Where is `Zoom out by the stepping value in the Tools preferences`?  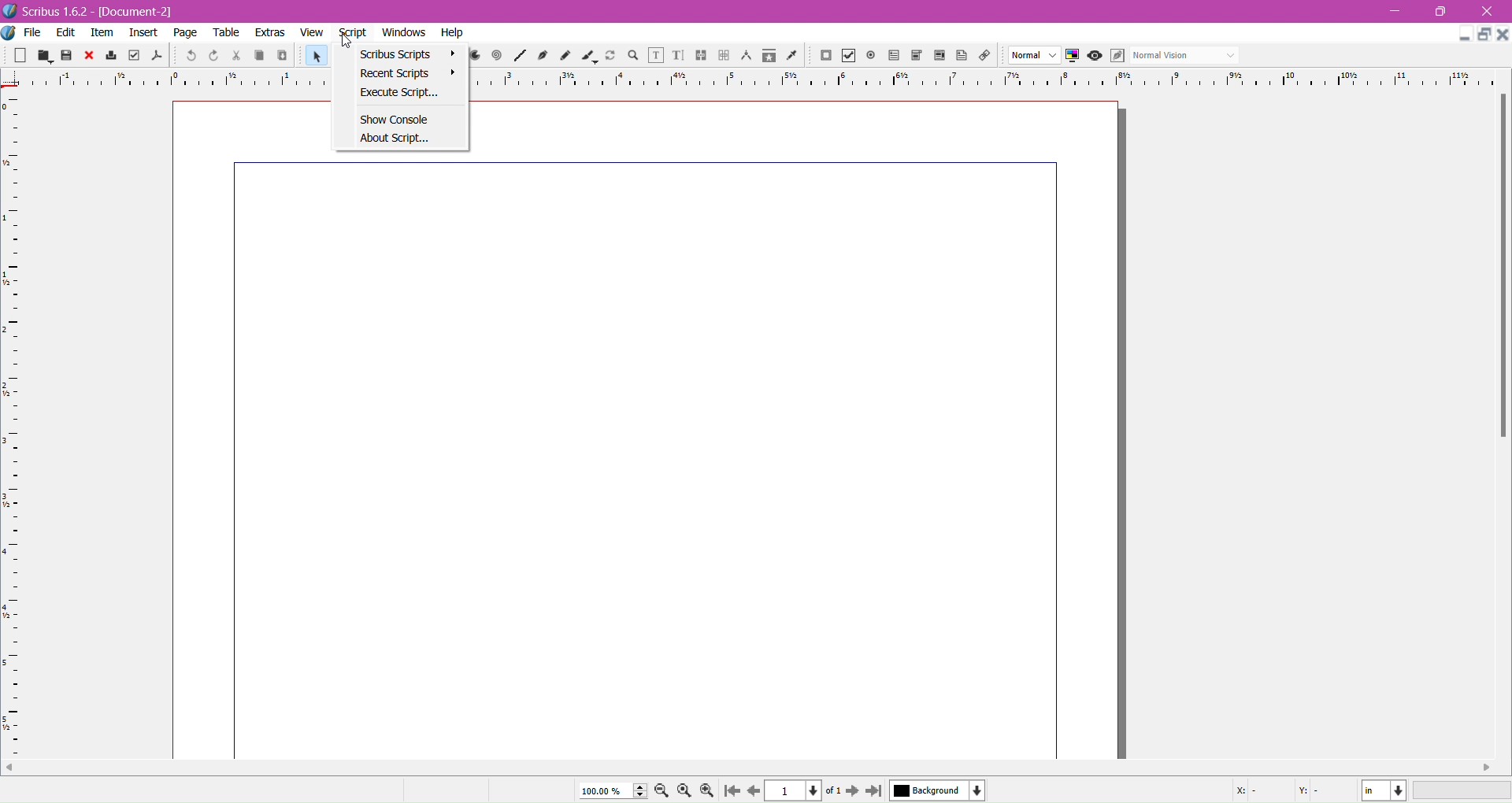
Zoom out by the stepping value in the Tools preferences is located at coordinates (661, 790).